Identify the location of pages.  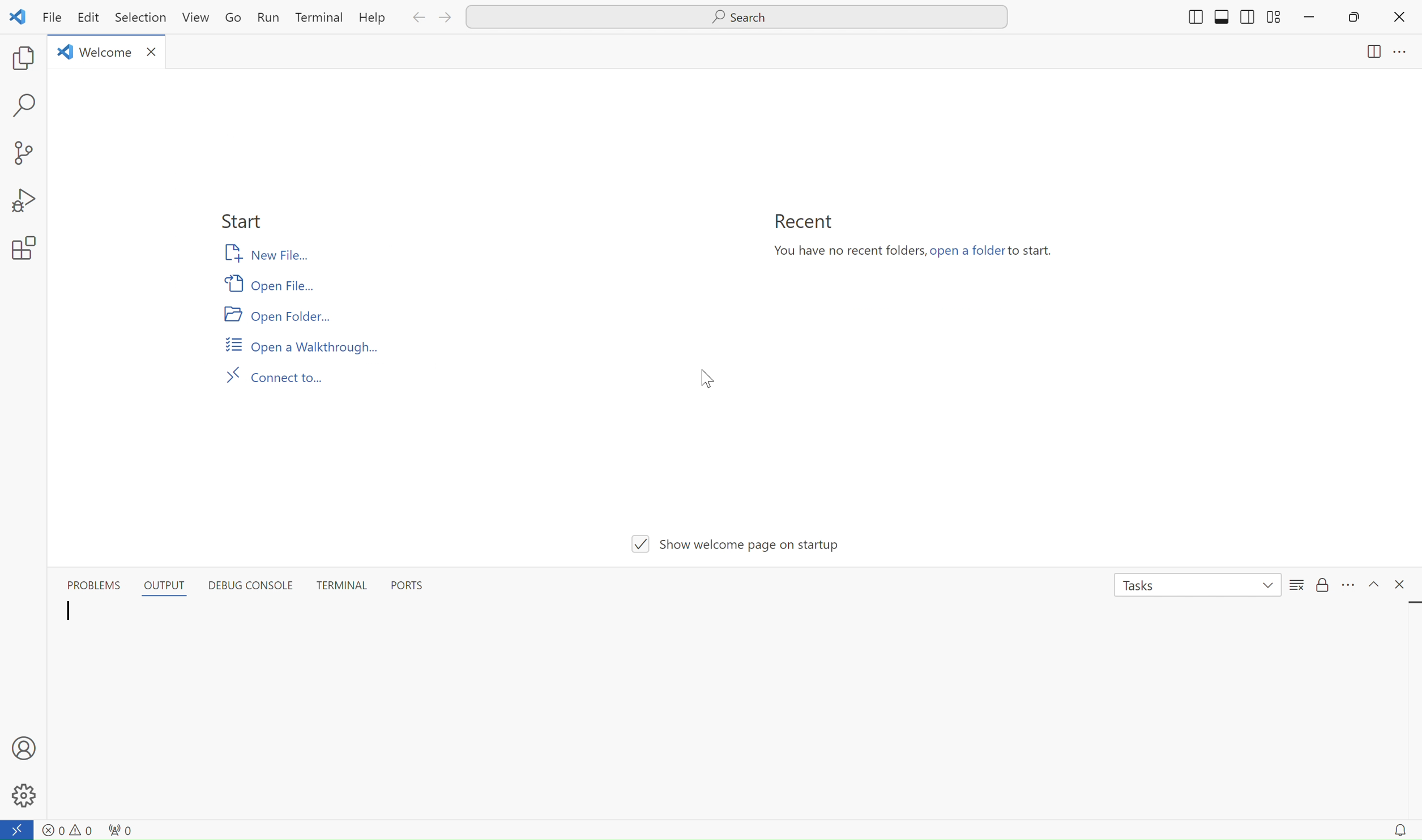
(1356, 57).